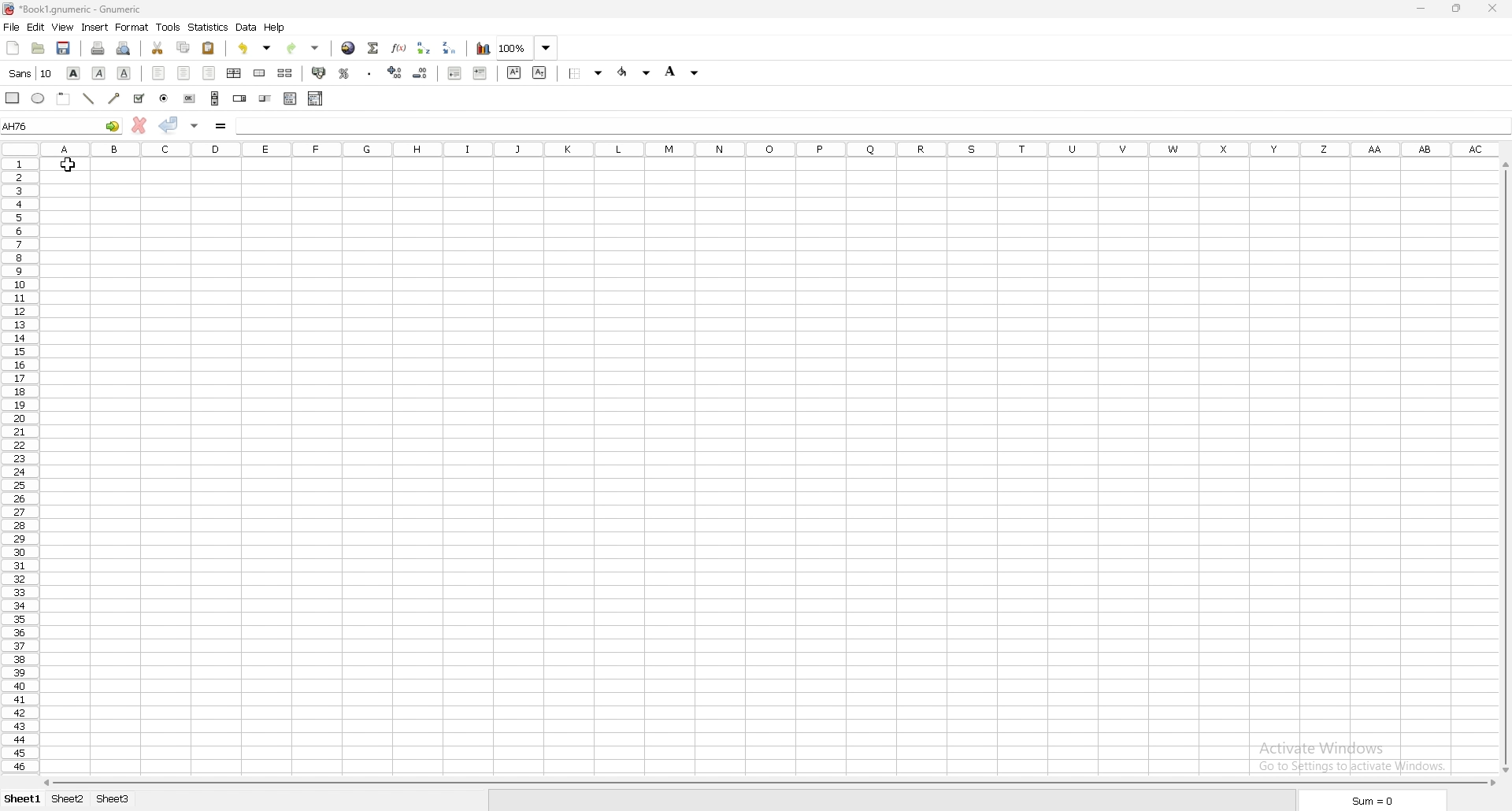  What do you see at coordinates (399, 48) in the screenshot?
I see `functions` at bounding box center [399, 48].